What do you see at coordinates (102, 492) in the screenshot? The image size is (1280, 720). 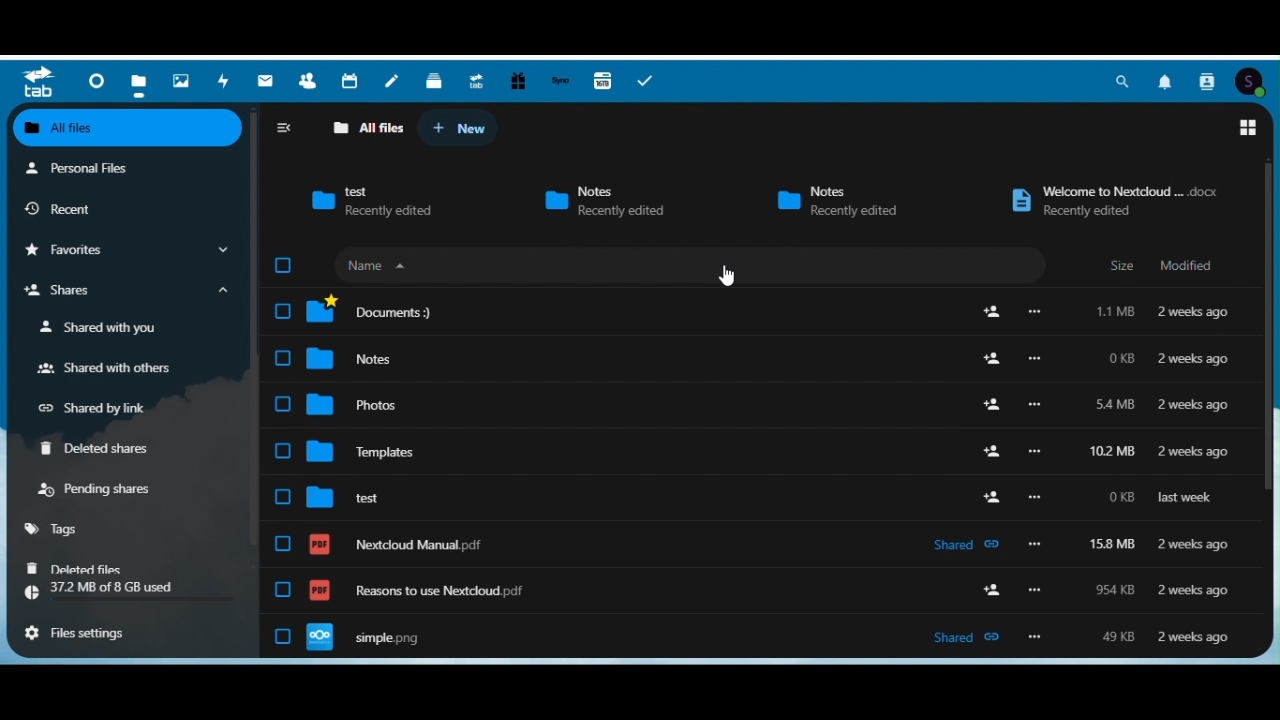 I see `Pending shares` at bounding box center [102, 492].